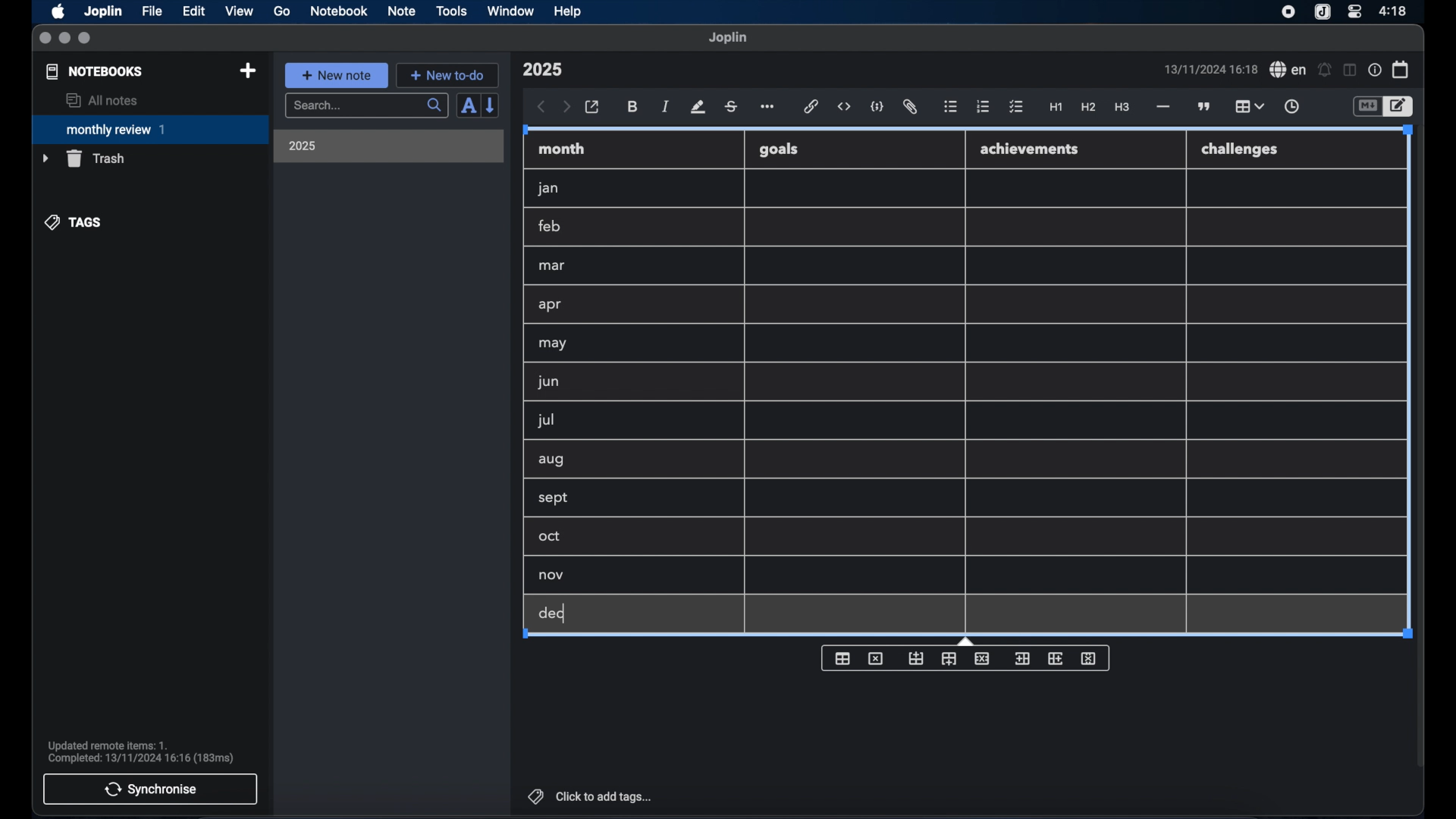 This screenshot has height=819, width=1456. What do you see at coordinates (366, 107) in the screenshot?
I see `search bar` at bounding box center [366, 107].